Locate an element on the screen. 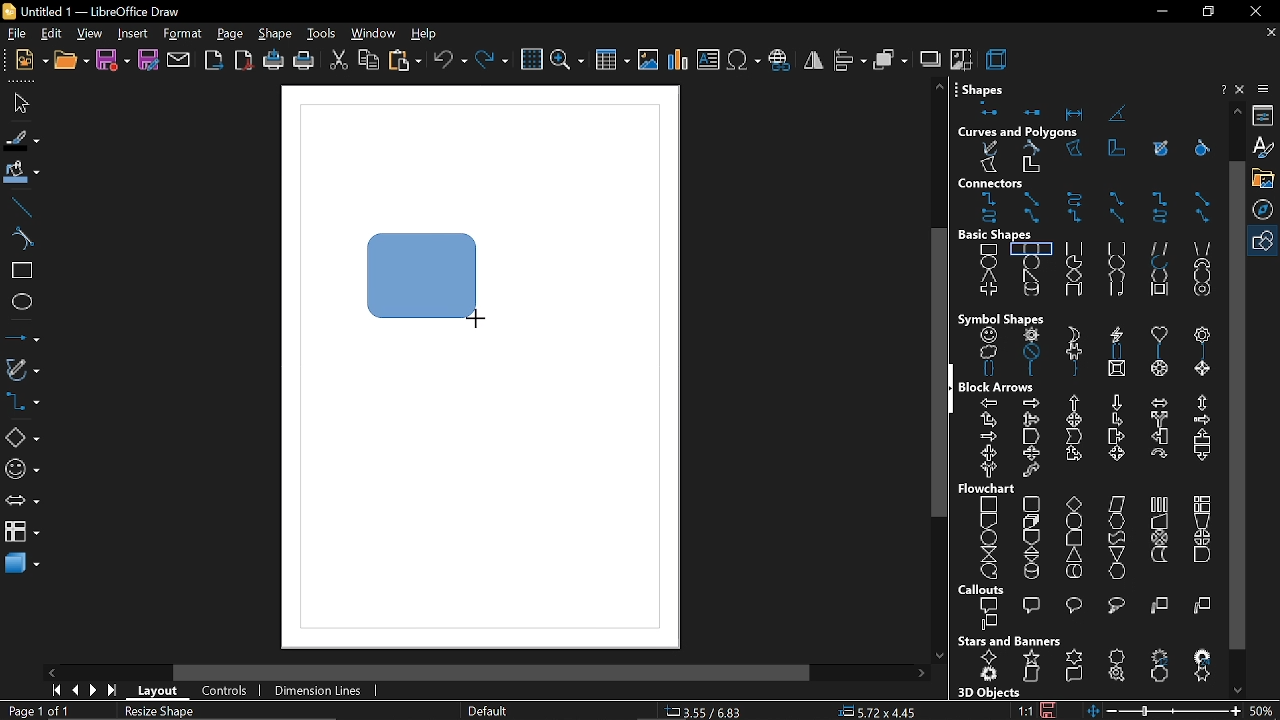 Image resolution: width=1280 pixels, height=720 pixels. stars and banners is located at coordinates (1092, 668).